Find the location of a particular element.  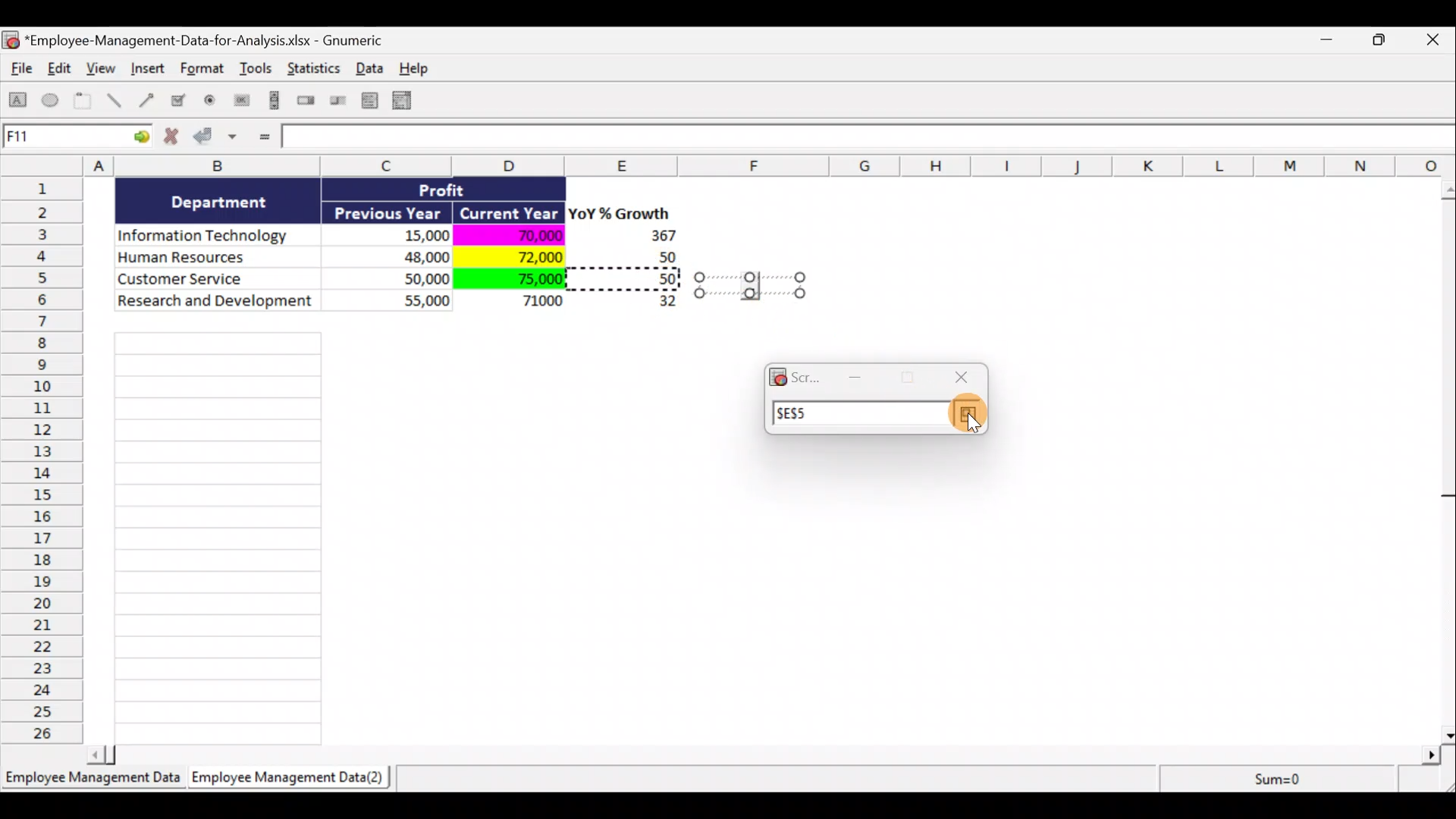

Create a radio button is located at coordinates (211, 102).